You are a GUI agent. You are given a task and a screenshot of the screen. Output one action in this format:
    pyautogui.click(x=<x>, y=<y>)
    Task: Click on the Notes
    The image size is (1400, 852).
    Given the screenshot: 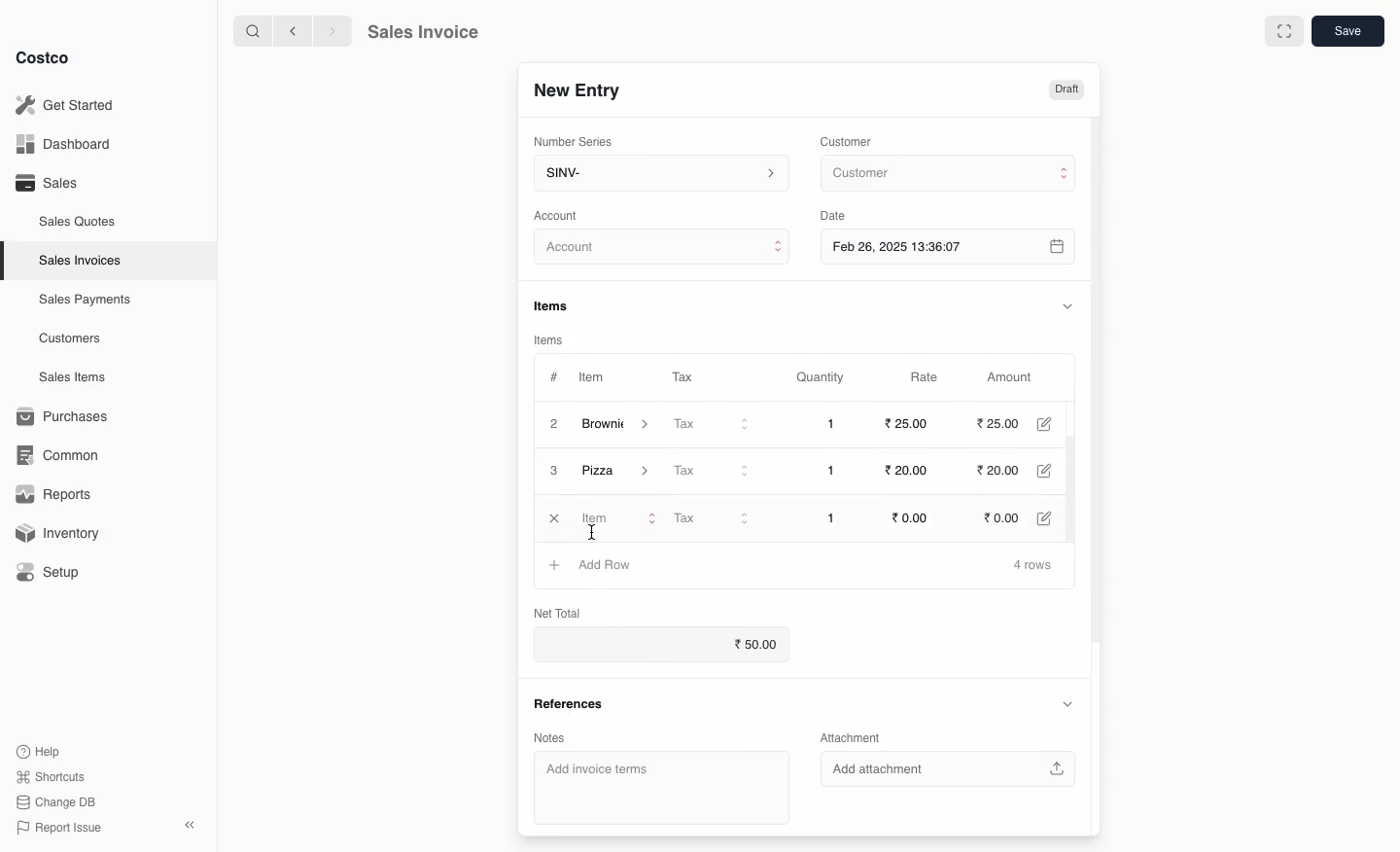 What is the action you would take?
    pyautogui.click(x=548, y=736)
    